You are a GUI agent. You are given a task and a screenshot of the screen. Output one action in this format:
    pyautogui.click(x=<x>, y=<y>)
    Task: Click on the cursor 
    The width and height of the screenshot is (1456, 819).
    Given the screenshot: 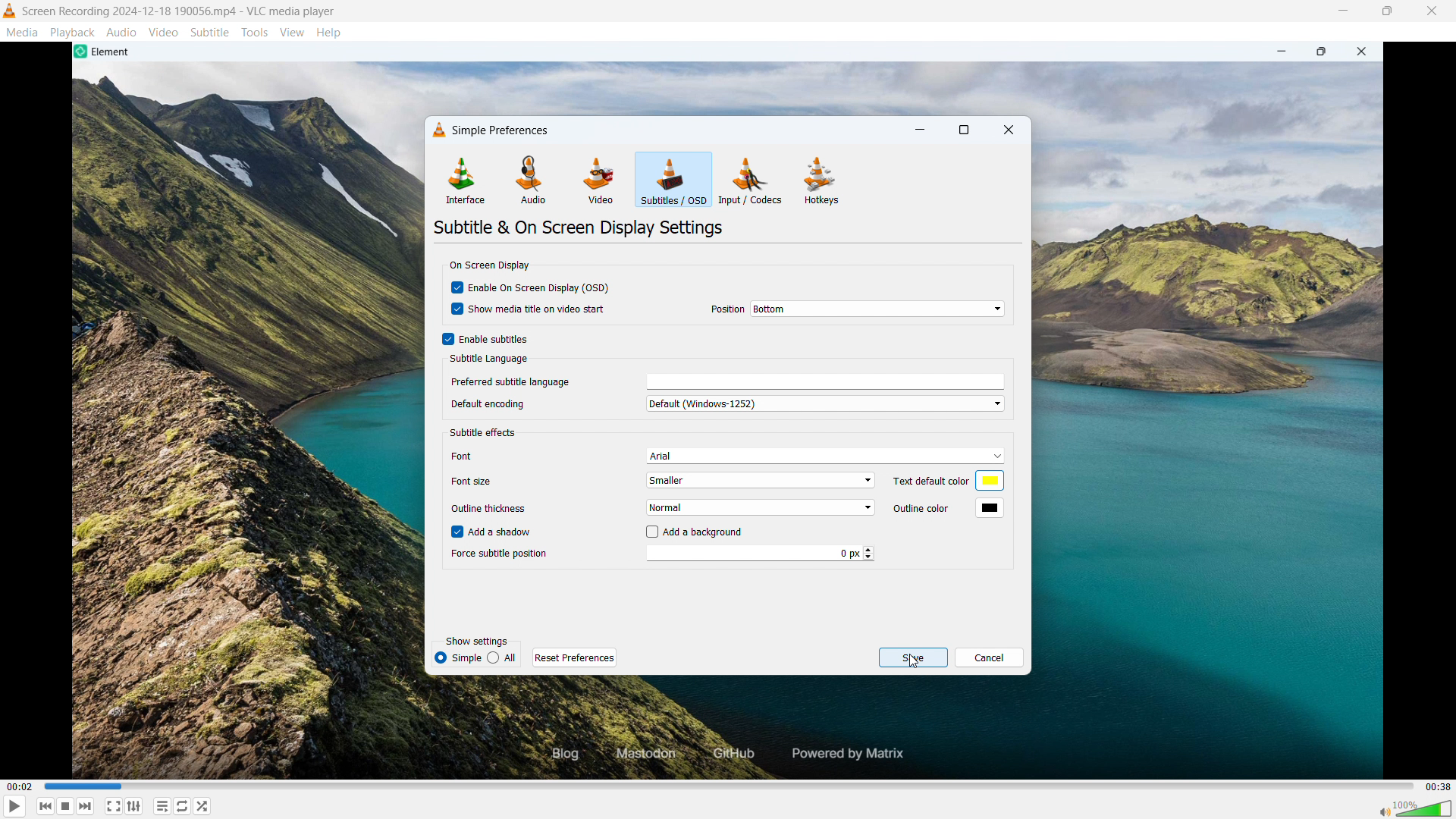 What is the action you would take?
    pyautogui.click(x=660, y=187)
    